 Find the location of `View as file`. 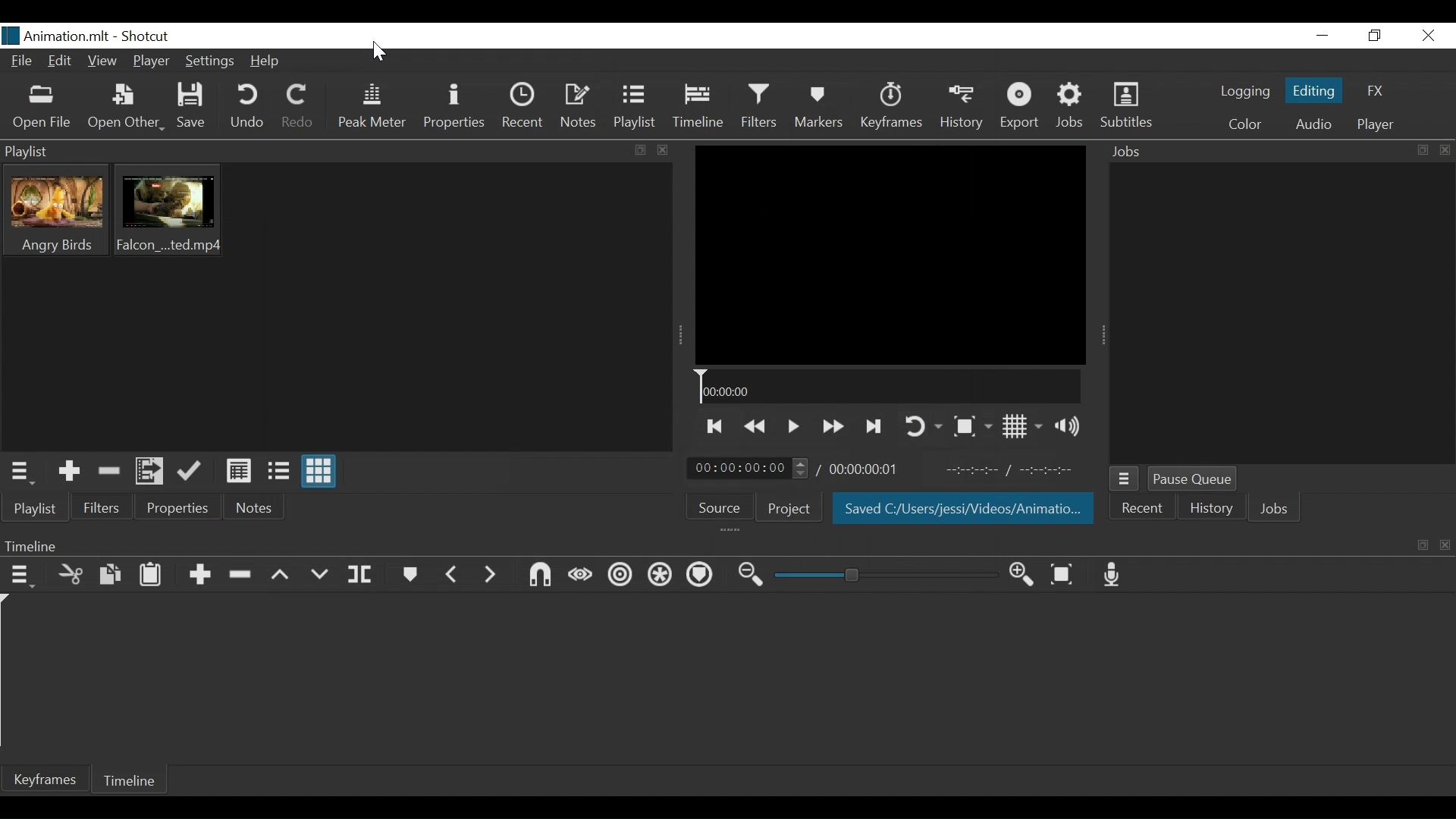

View as file is located at coordinates (279, 472).